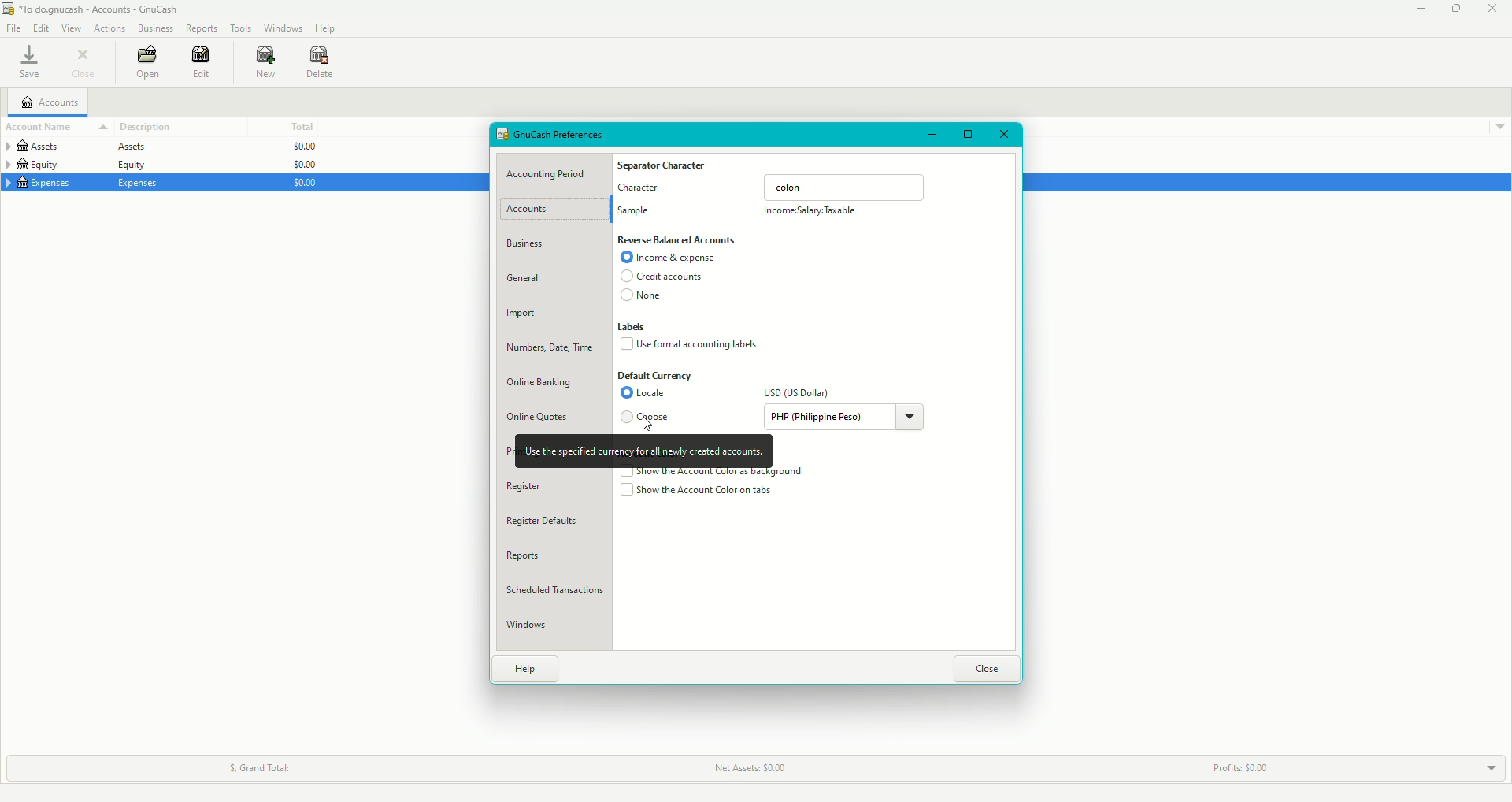 The height and width of the screenshot is (802, 1512). I want to click on Register Defaults, so click(548, 523).